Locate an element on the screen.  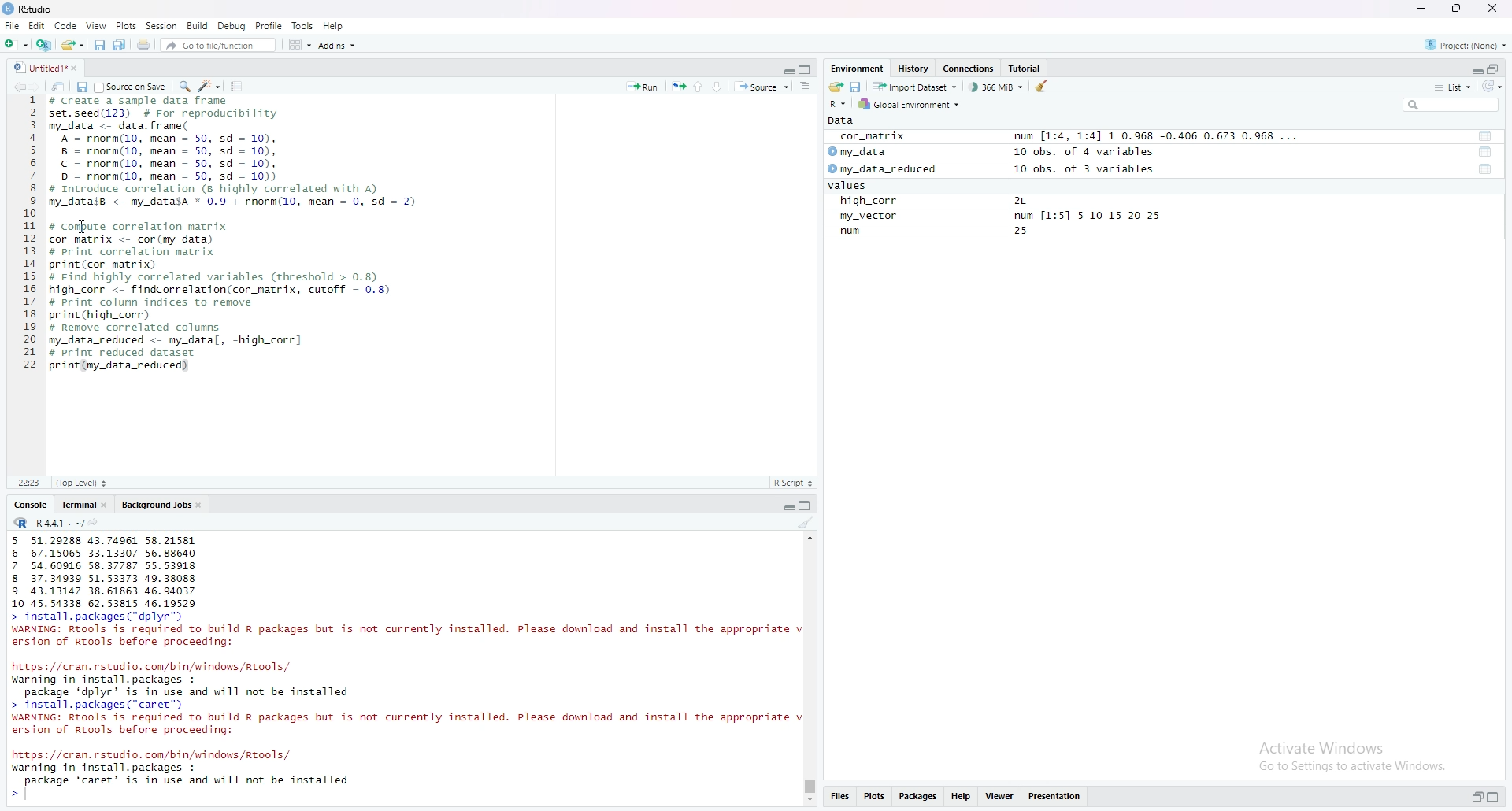
reload is located at coordinates (1492, 87).